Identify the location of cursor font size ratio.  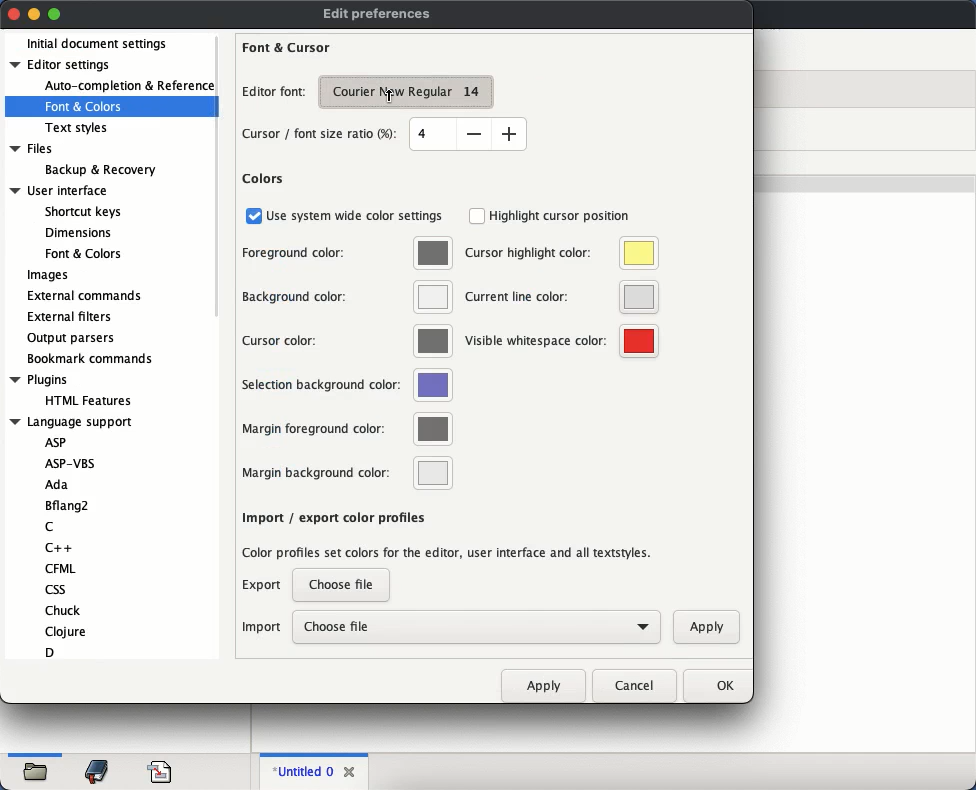
(322, 136).